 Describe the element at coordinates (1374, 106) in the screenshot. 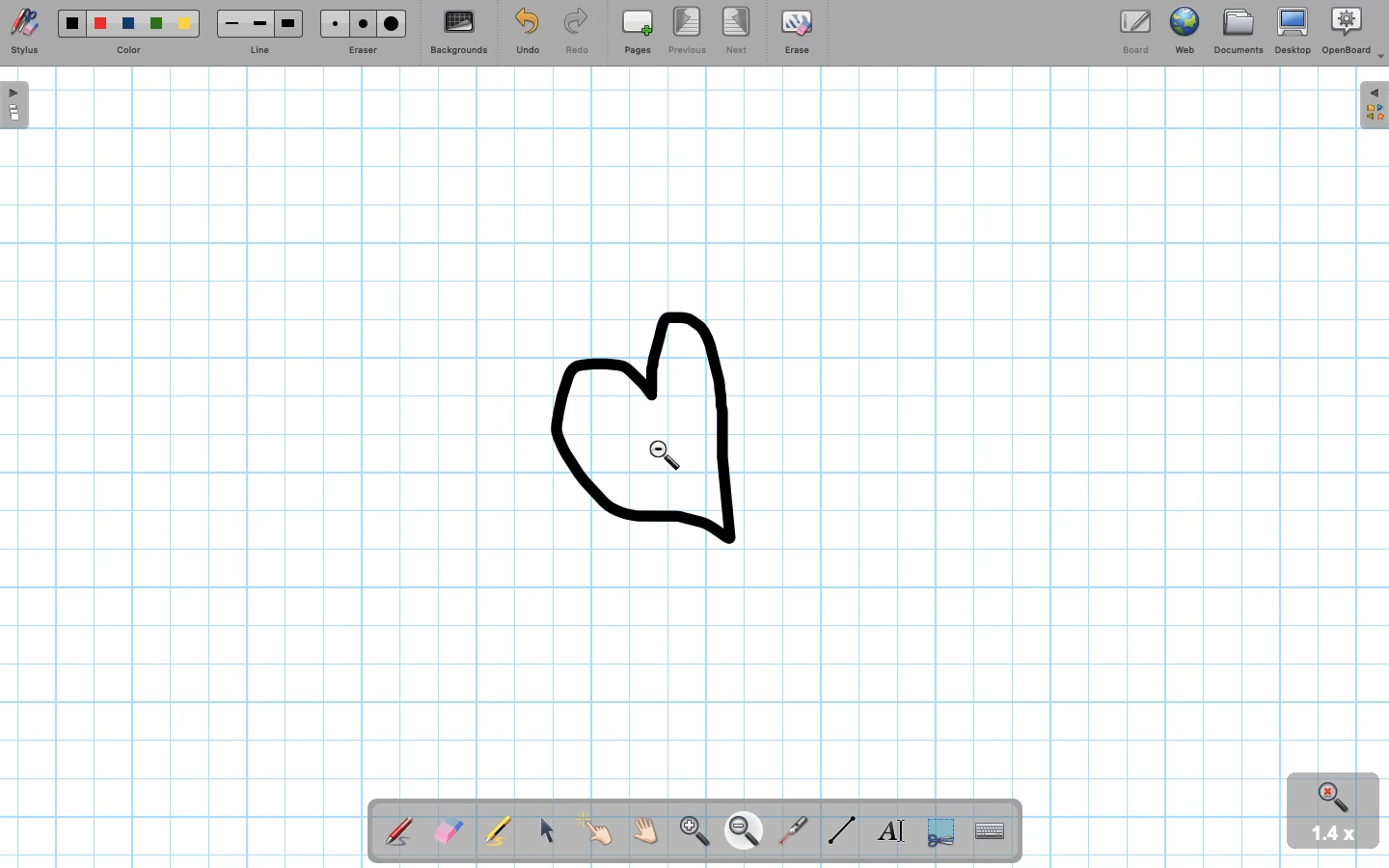

I see `Expand folder` at that location.